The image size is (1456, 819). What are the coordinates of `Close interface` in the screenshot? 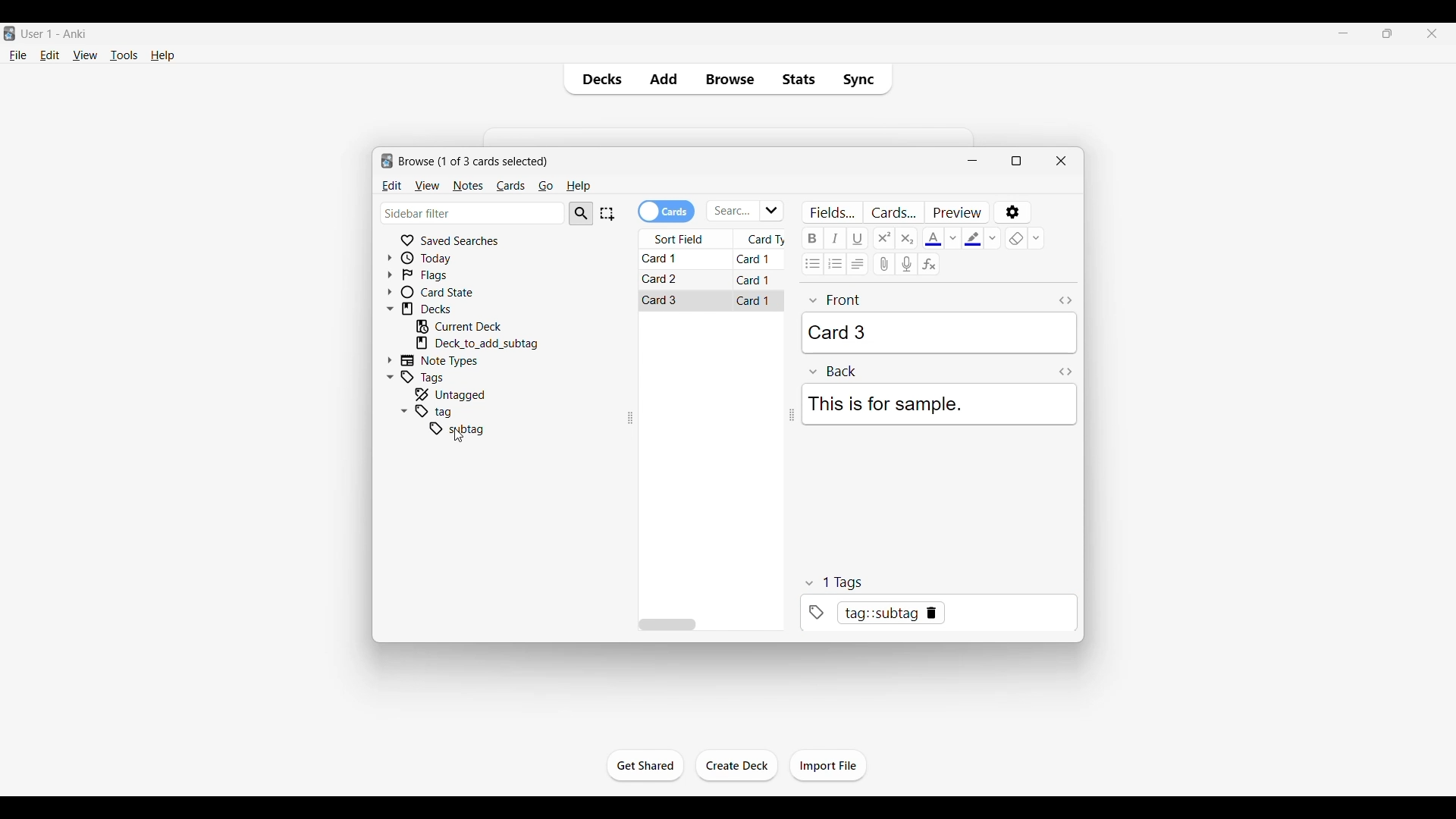 It's located at (1432, 33).